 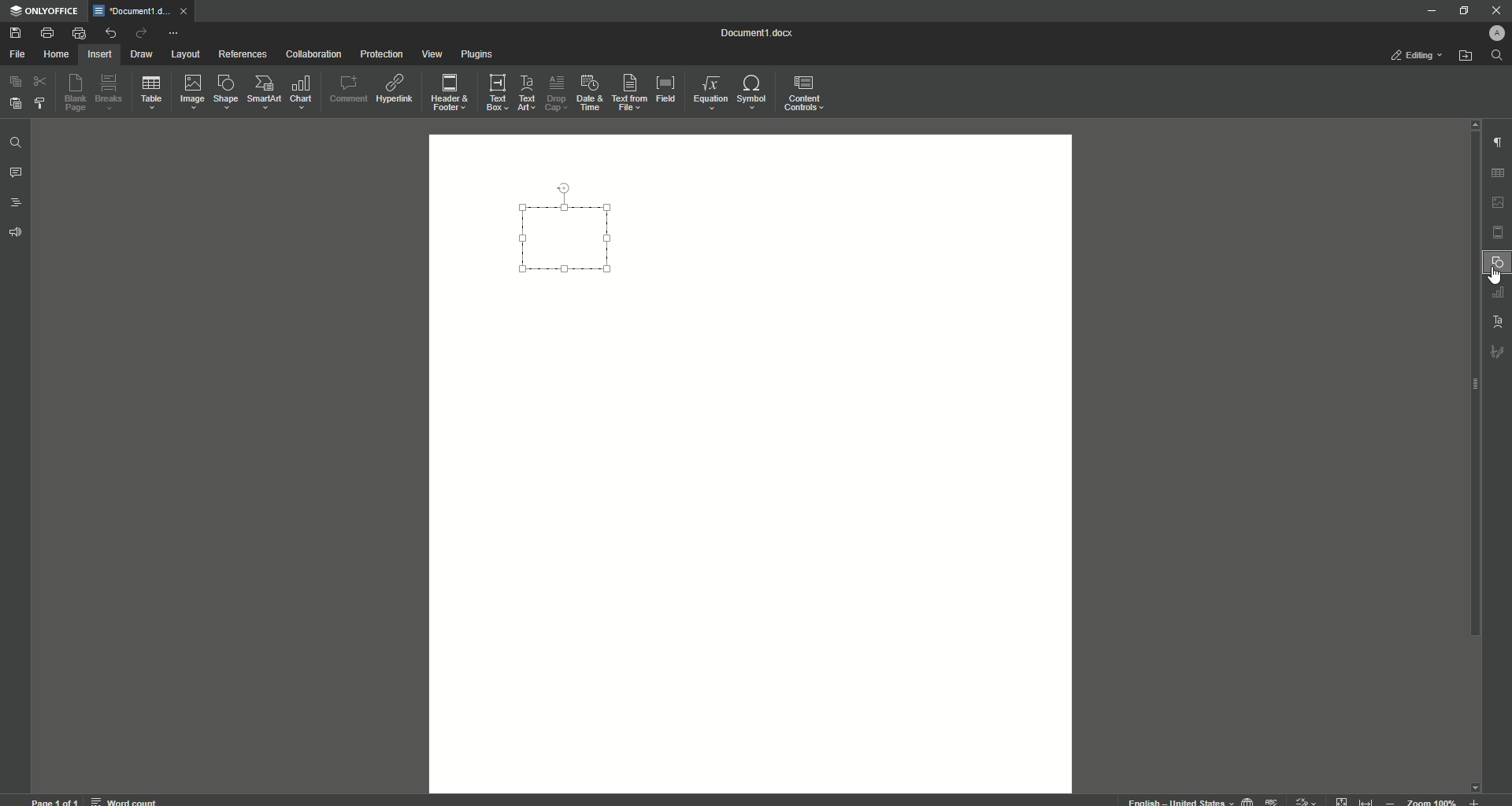 What do you see at coordinates (1500, 171) in the screenshot?
I see `table` at bounding box center [1500, 171].